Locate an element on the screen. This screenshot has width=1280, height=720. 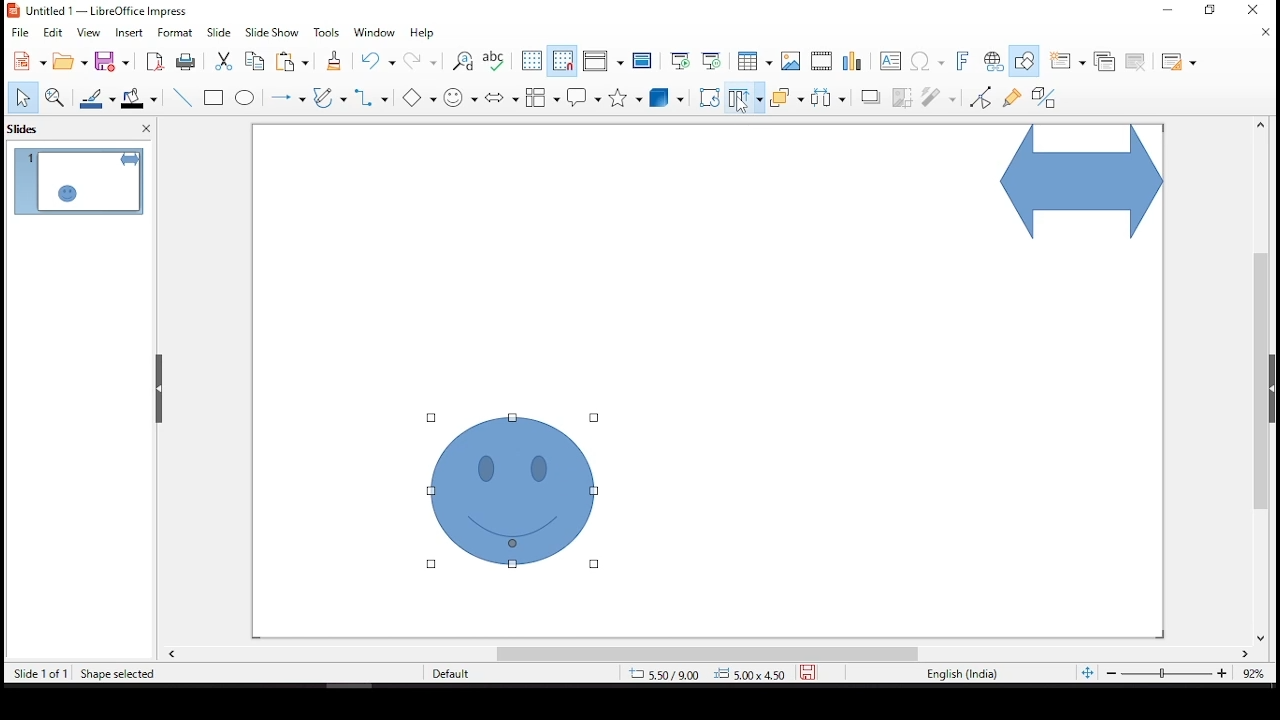
window is located at coordinates (378, 33).